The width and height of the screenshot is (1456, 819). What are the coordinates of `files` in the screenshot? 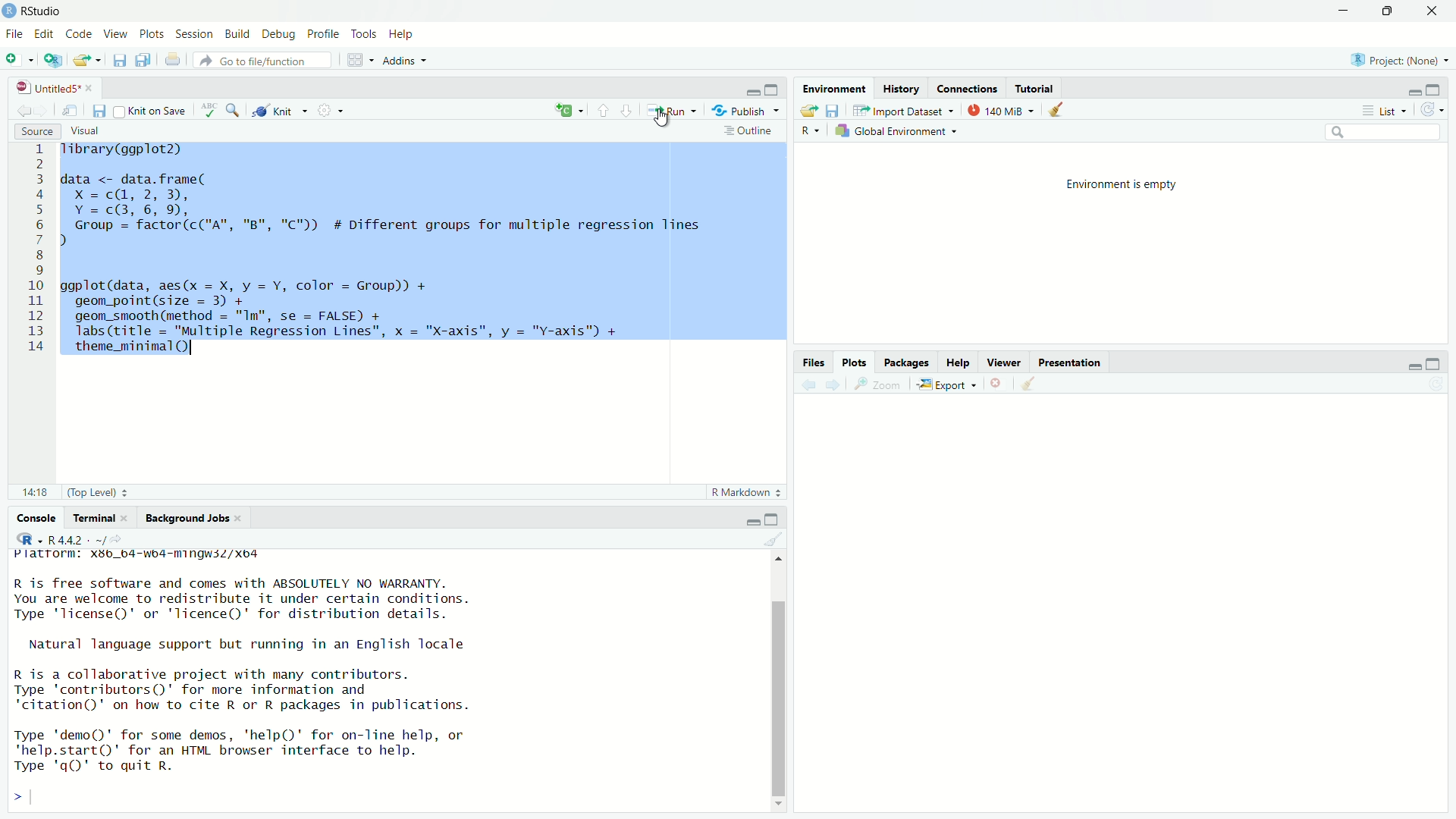 It's located at (140, 60).